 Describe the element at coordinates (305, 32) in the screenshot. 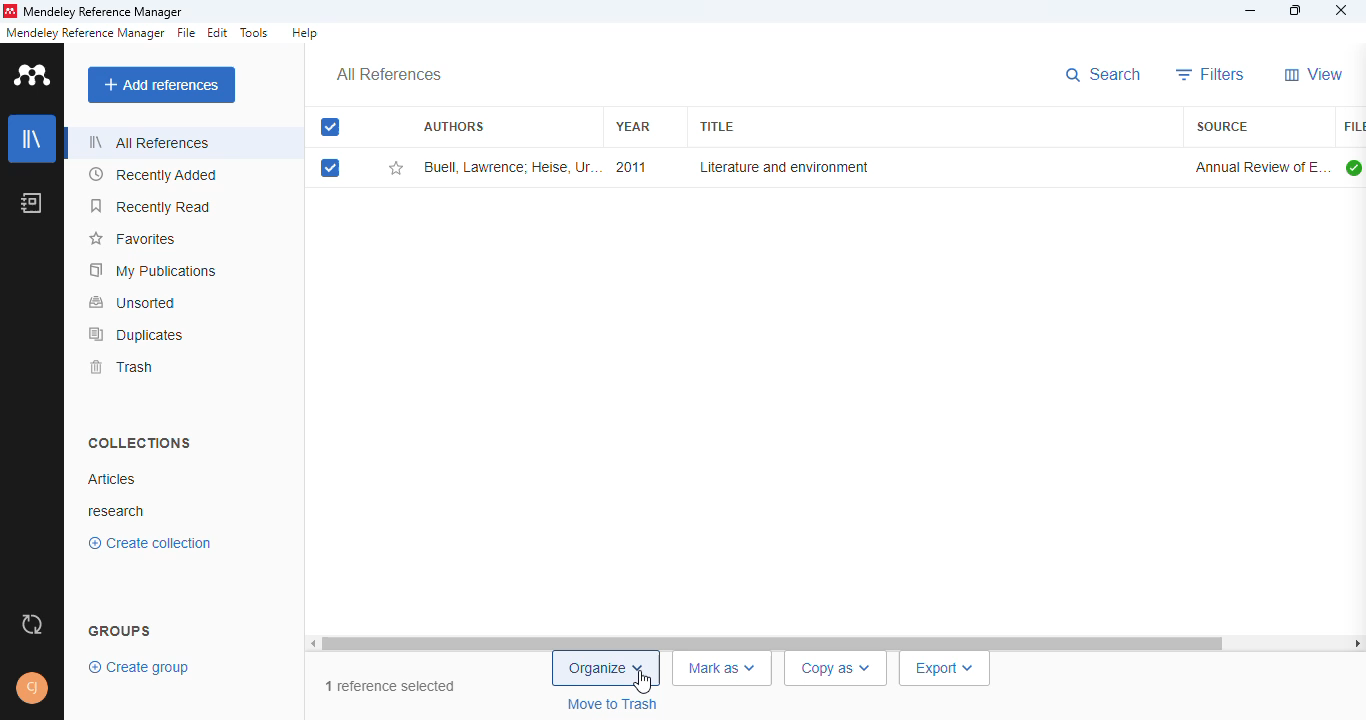

I see `help` at that location.